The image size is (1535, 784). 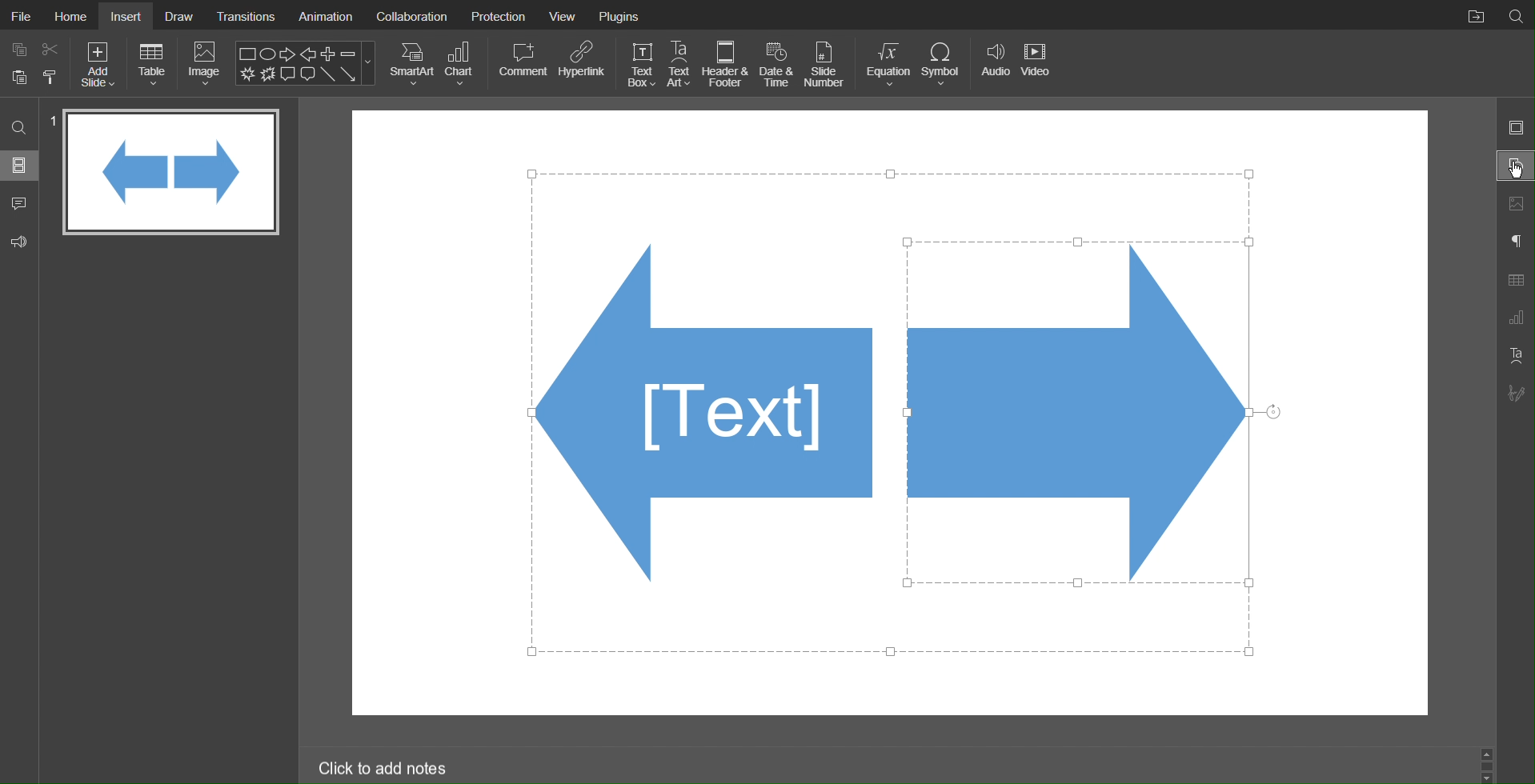 I want to click on Text Art, so click(x=680, y=63).